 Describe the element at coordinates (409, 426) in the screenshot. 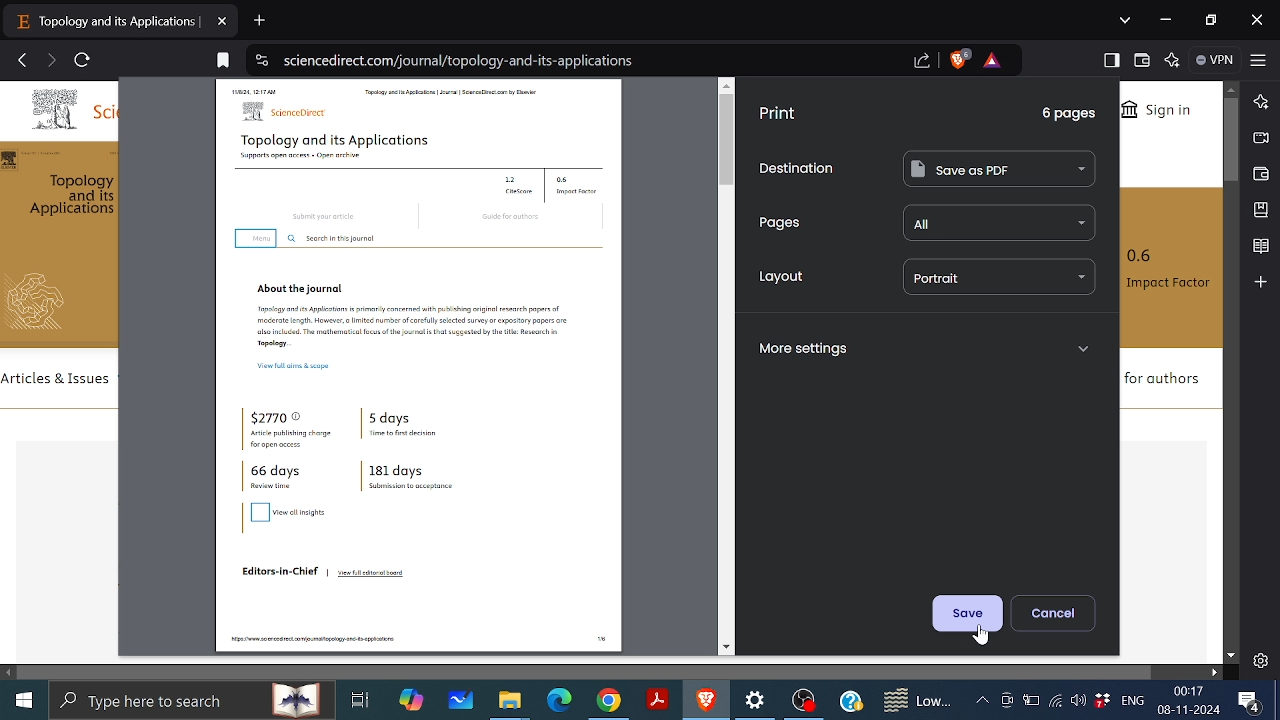

I see `5 days` at that location.